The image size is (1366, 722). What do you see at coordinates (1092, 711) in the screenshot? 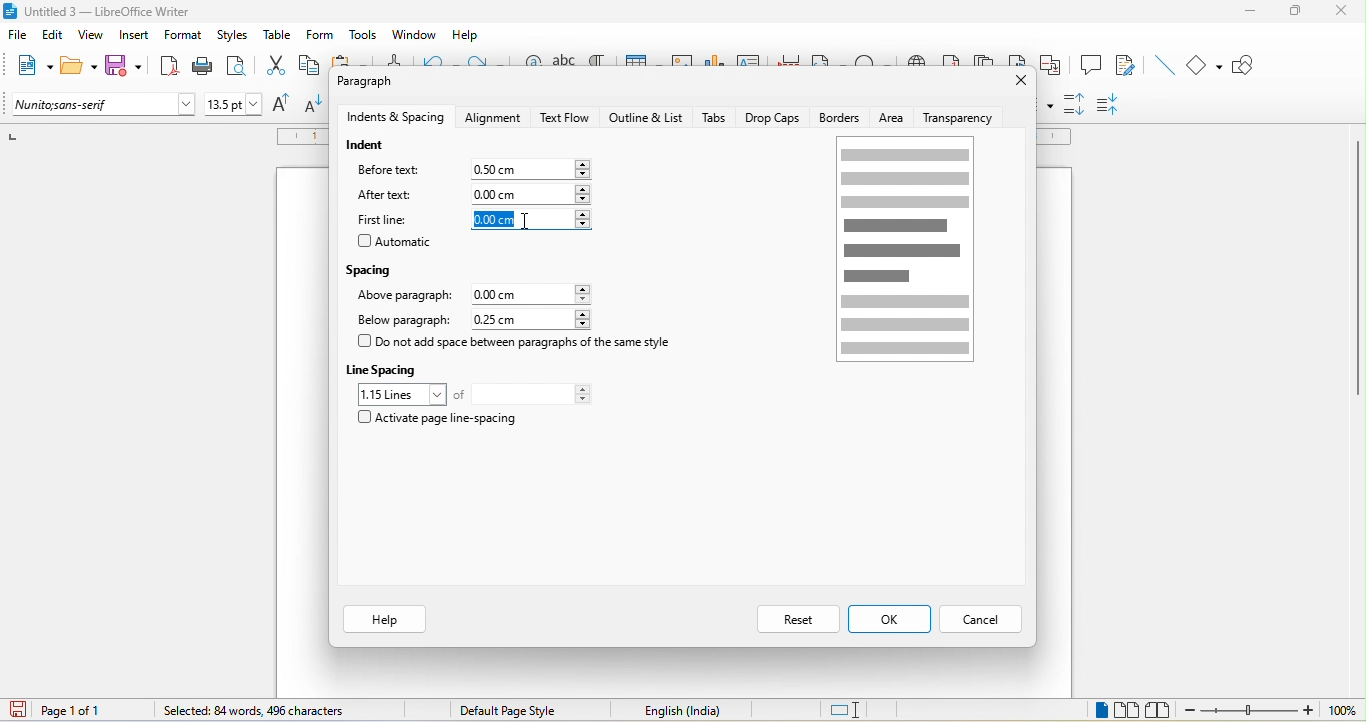
I see `single page view` at bounding box center [1092, 711].